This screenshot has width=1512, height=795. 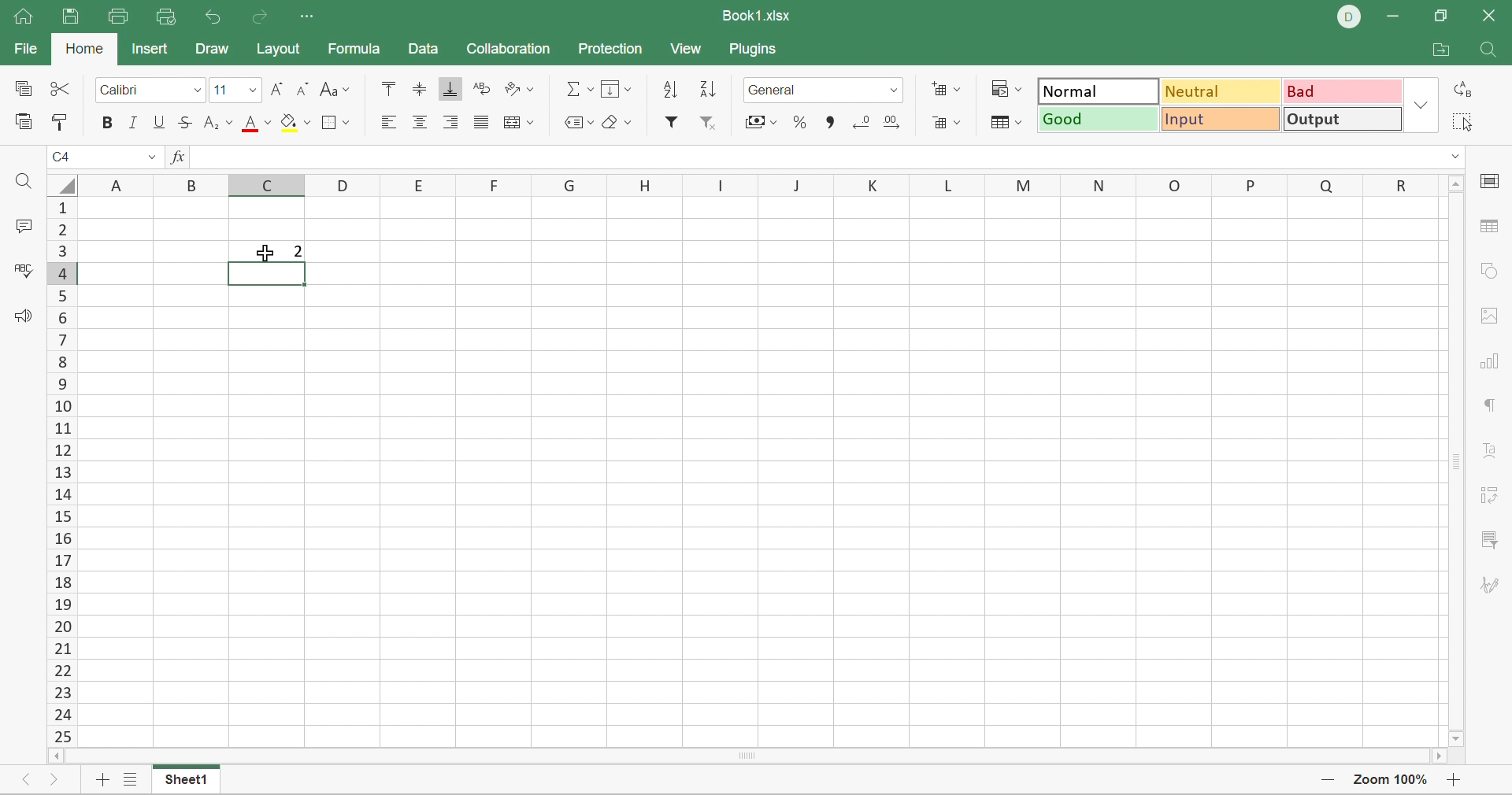 What do you see at coordinates (337, 122) in the screenshot?
I see `Borders` at bounding box center [337, 122].